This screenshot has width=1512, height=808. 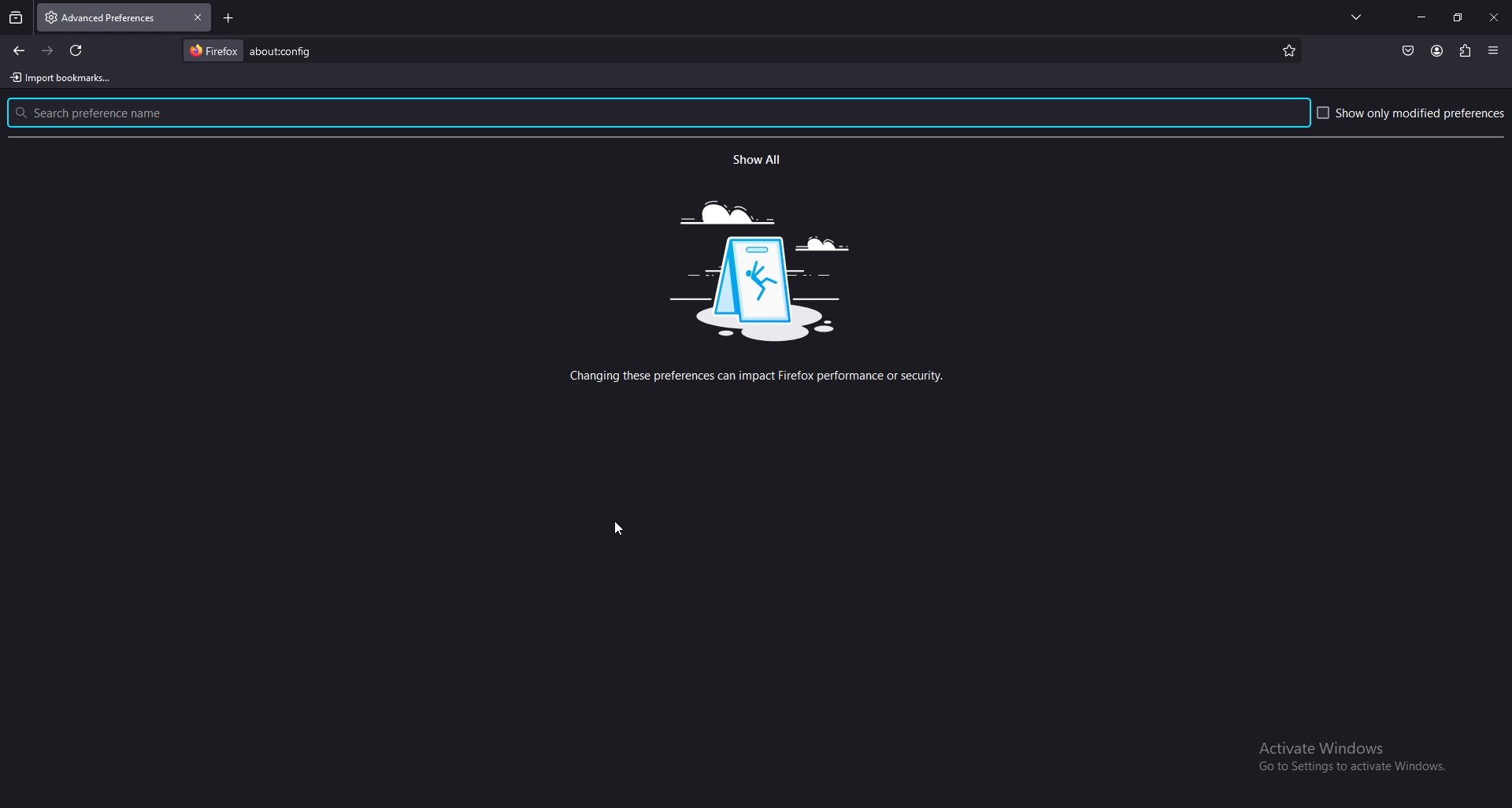 What do you see at coordinates (19, 51) in the screenshot?
I see `back` at bounding box center [19, 51].